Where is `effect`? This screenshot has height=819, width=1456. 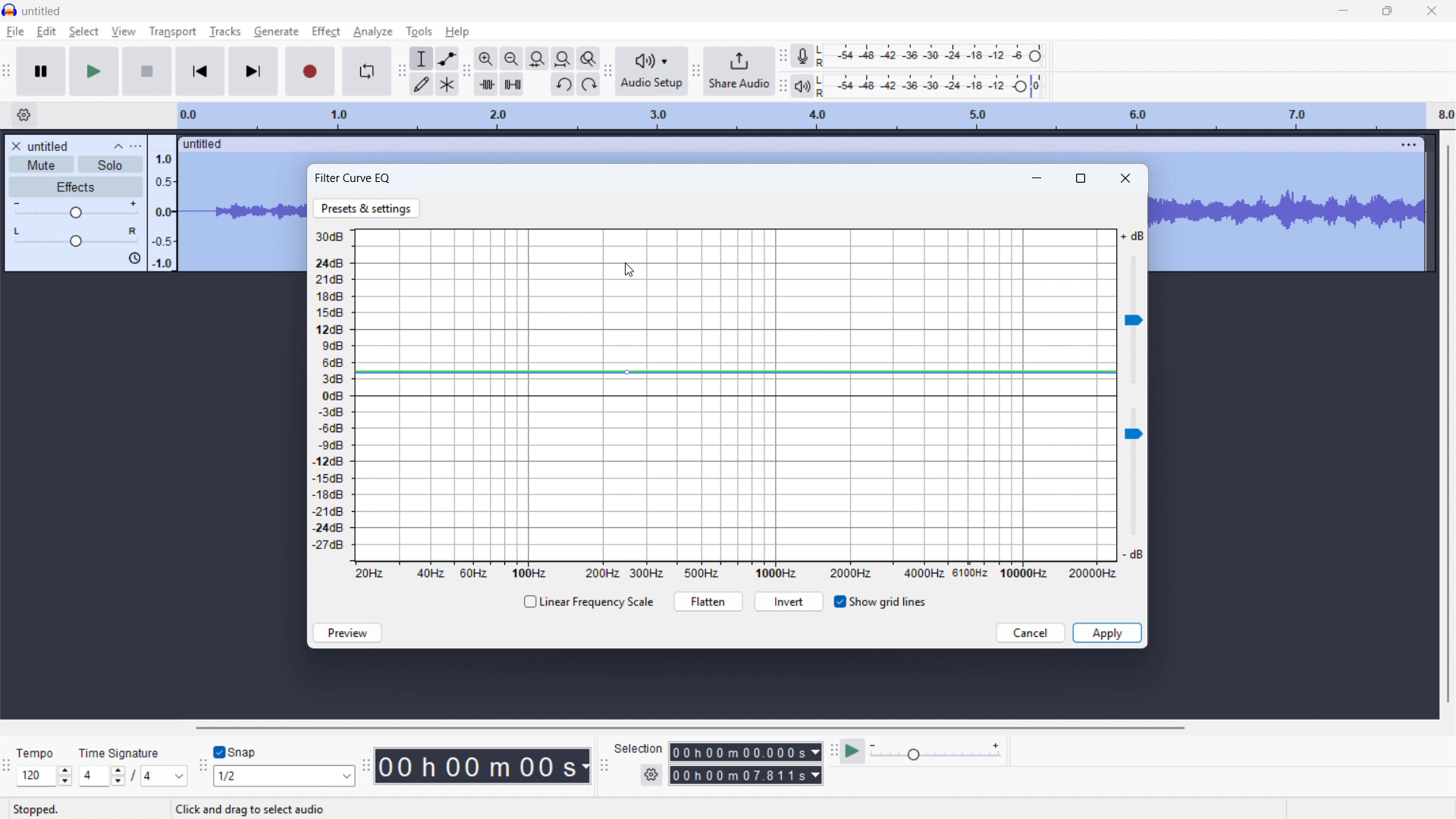
effect is located at coordinates (325, 30).